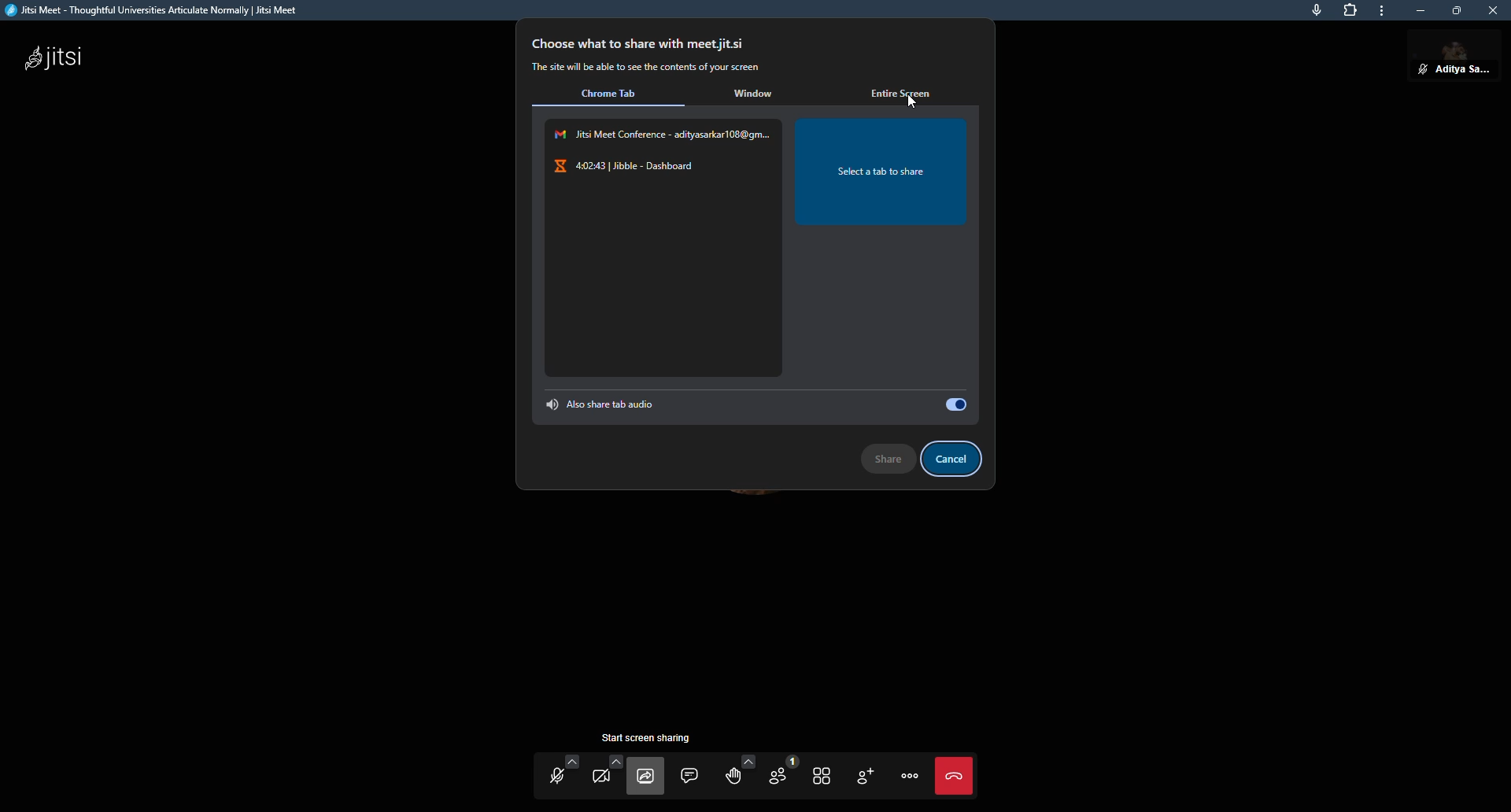  I want to click on also share tab audio, so click(608, 403).